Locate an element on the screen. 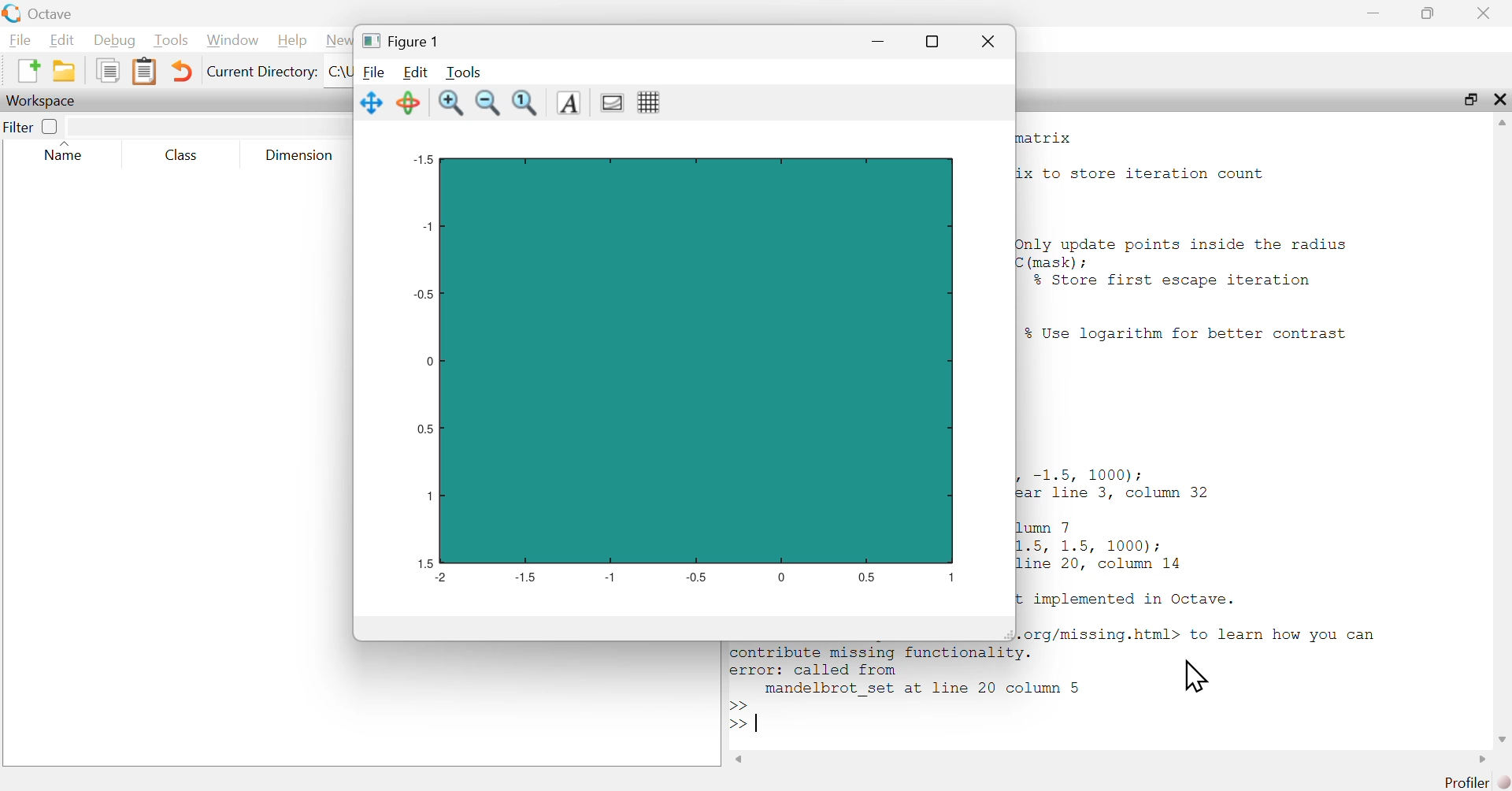 The image size is (1512, 791). X to store iteration count
nly update points inside the radius
(mask) ;
% Store first escape iteration
$ Use logarithm for better contrast
-1.5, 1000):
ar line 3, column 32
umn 7
.5, 1.5, 1000):
ine 20, column 14
implemented in Octave.
org/missing.html> to learn how you can
i N is located at coordinates (1199, 425).